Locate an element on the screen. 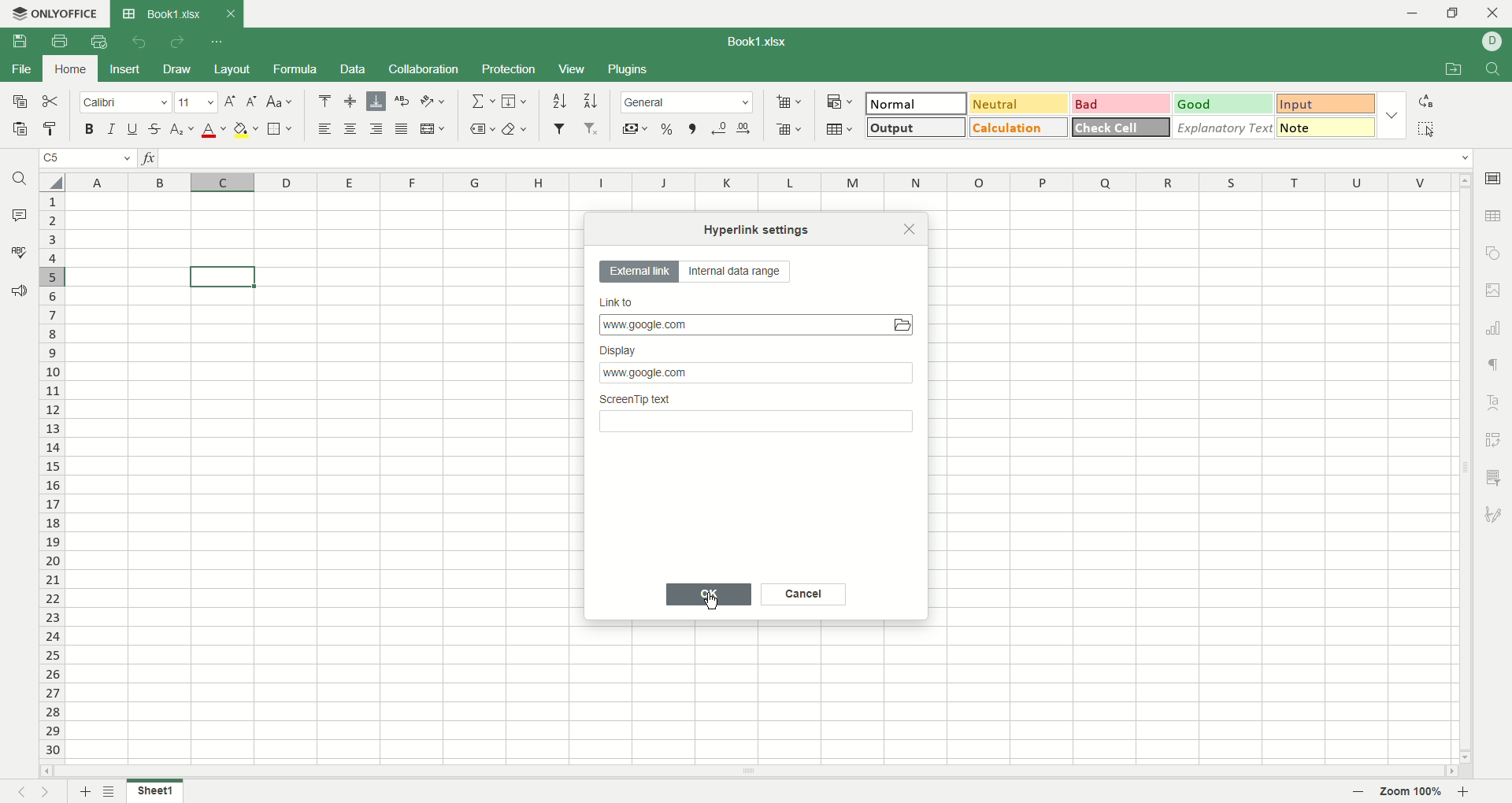 This screenshot has height=803, width=1512. ONLYOFFICE is located at coordinates (53, 13).